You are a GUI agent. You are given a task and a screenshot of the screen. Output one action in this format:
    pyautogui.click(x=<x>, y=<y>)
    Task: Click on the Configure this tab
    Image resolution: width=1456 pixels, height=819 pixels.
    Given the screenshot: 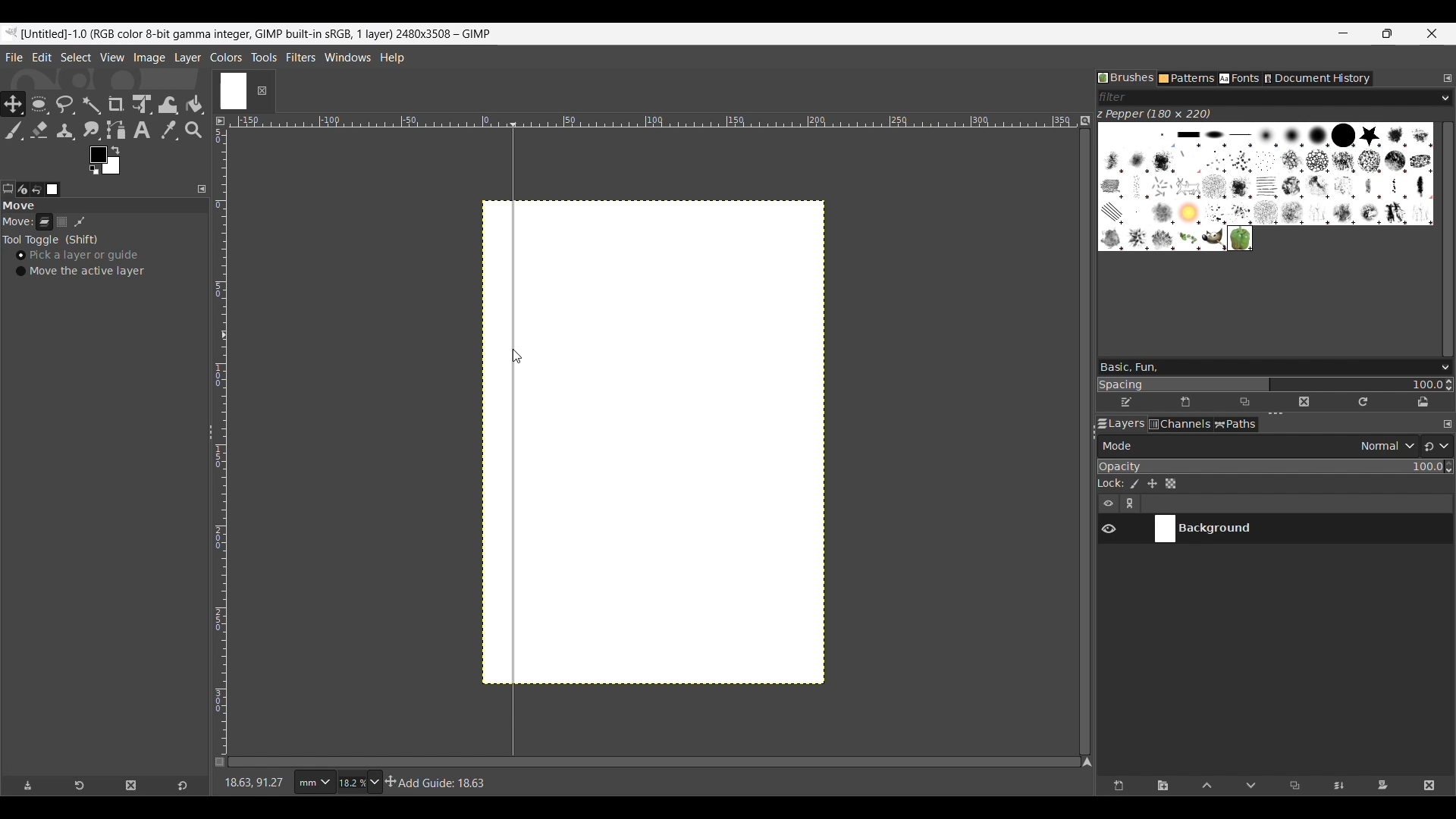 What is the action you would take?
    pyautogui.click(x=202, y=190)
    